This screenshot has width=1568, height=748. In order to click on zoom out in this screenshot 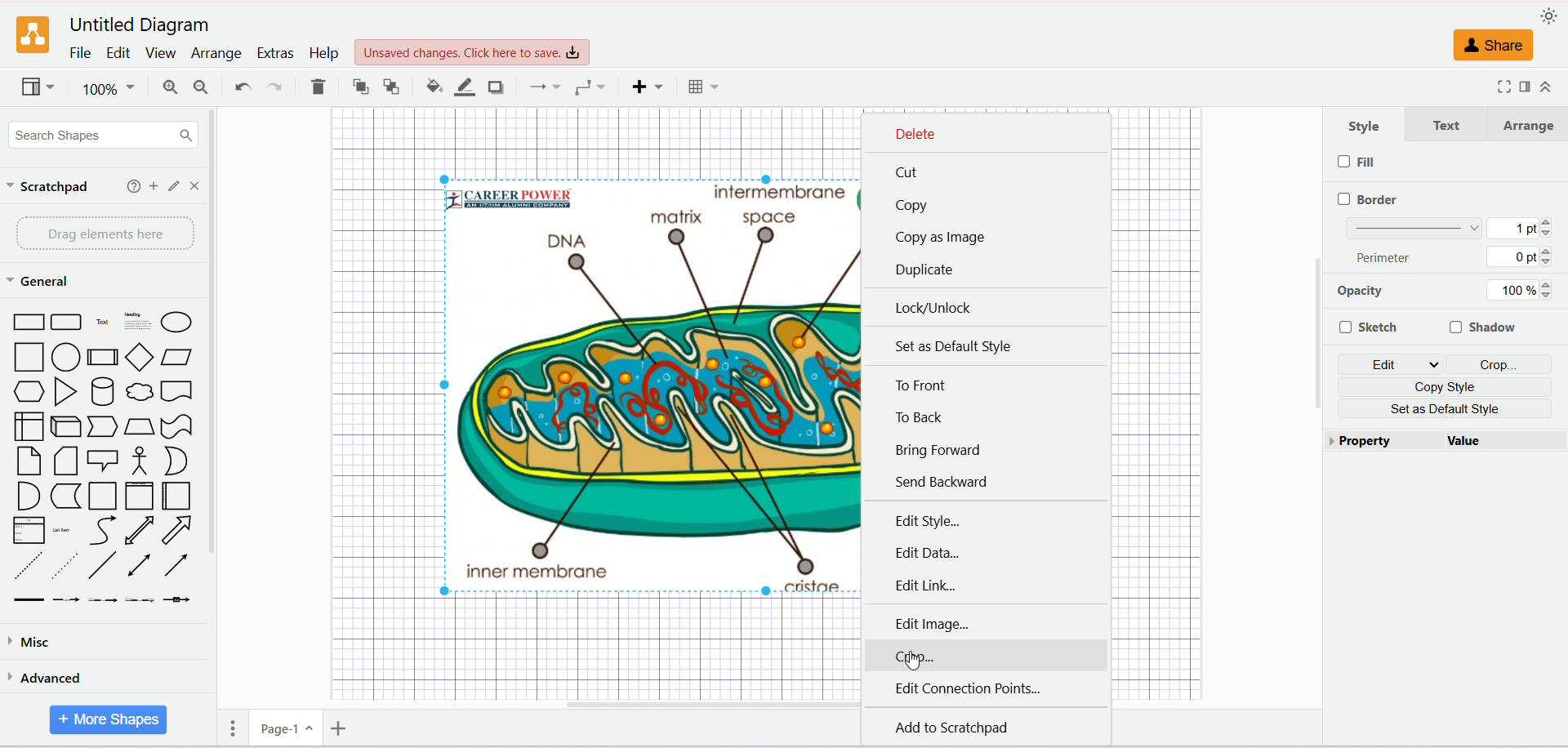, I will do `click(198, 89)`.